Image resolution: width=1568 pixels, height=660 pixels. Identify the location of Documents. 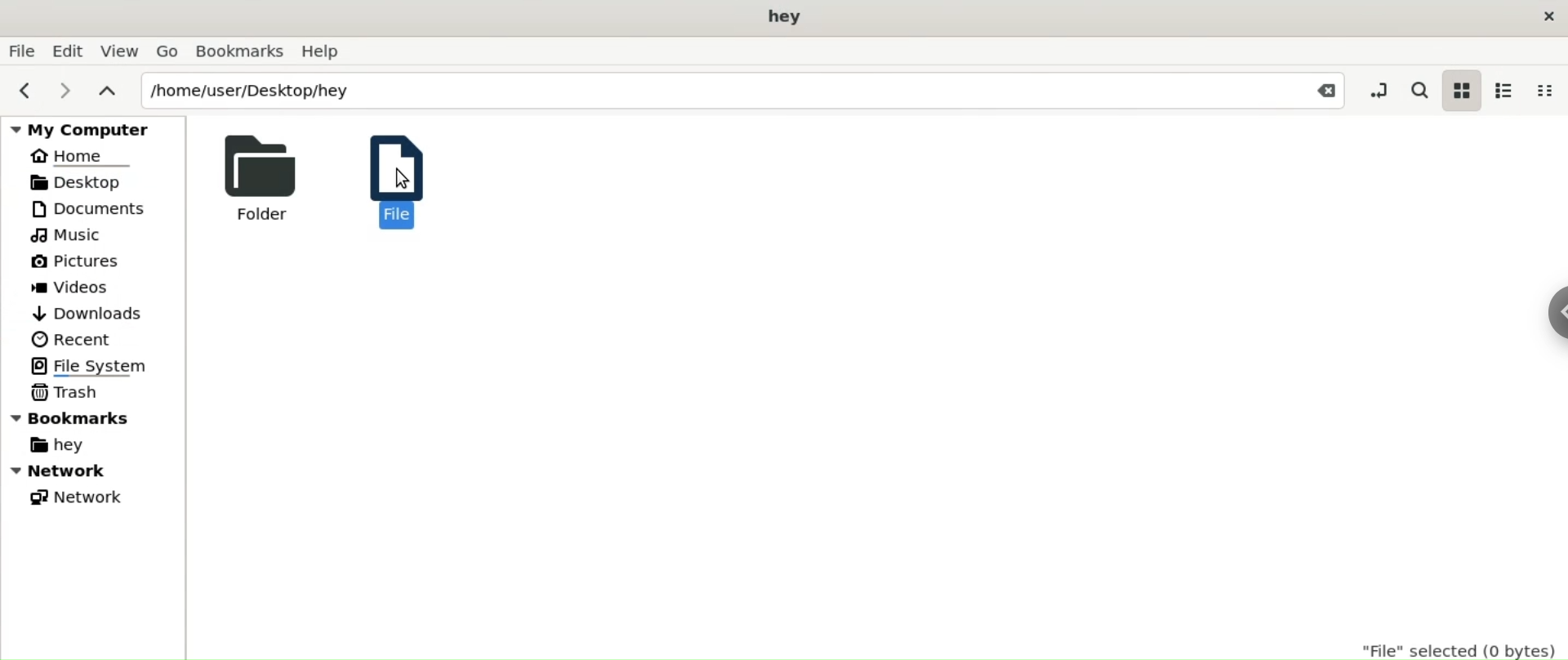
(84, 210).